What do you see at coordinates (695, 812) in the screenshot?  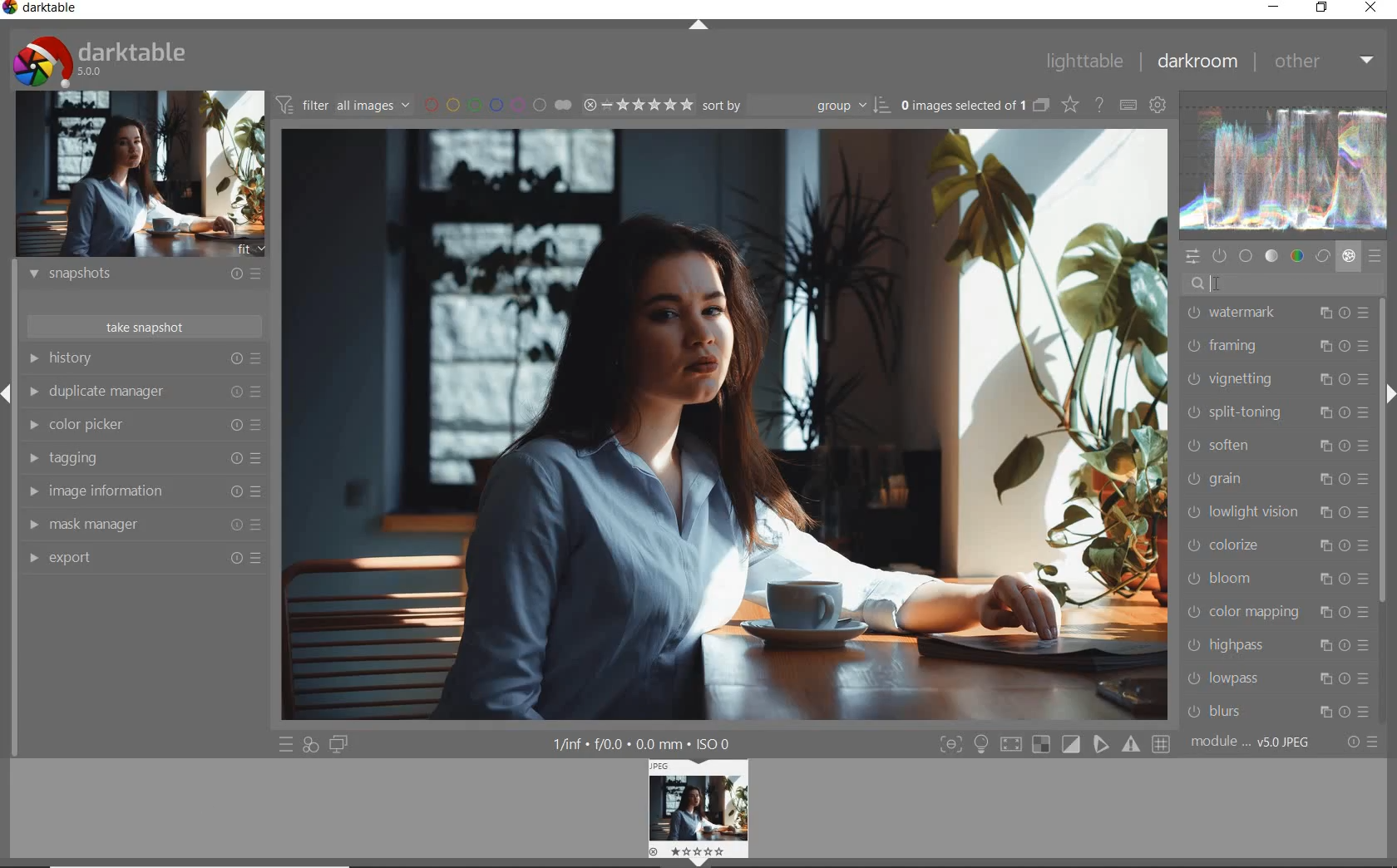 I see `image preview` at bounding box center [695, 812].